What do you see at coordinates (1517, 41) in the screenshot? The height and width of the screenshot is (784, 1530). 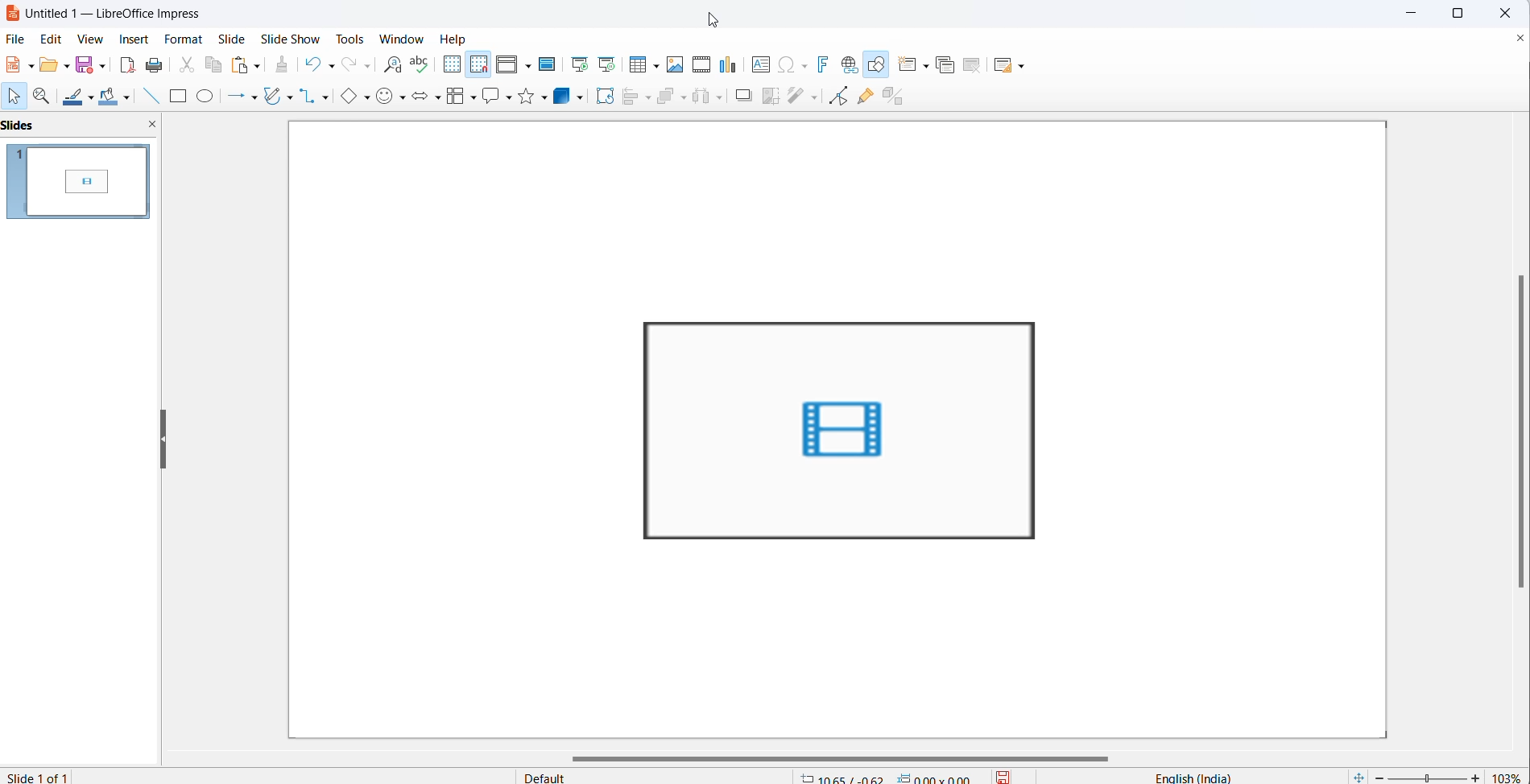 I see `close document` at bounding box center [1517, 41].